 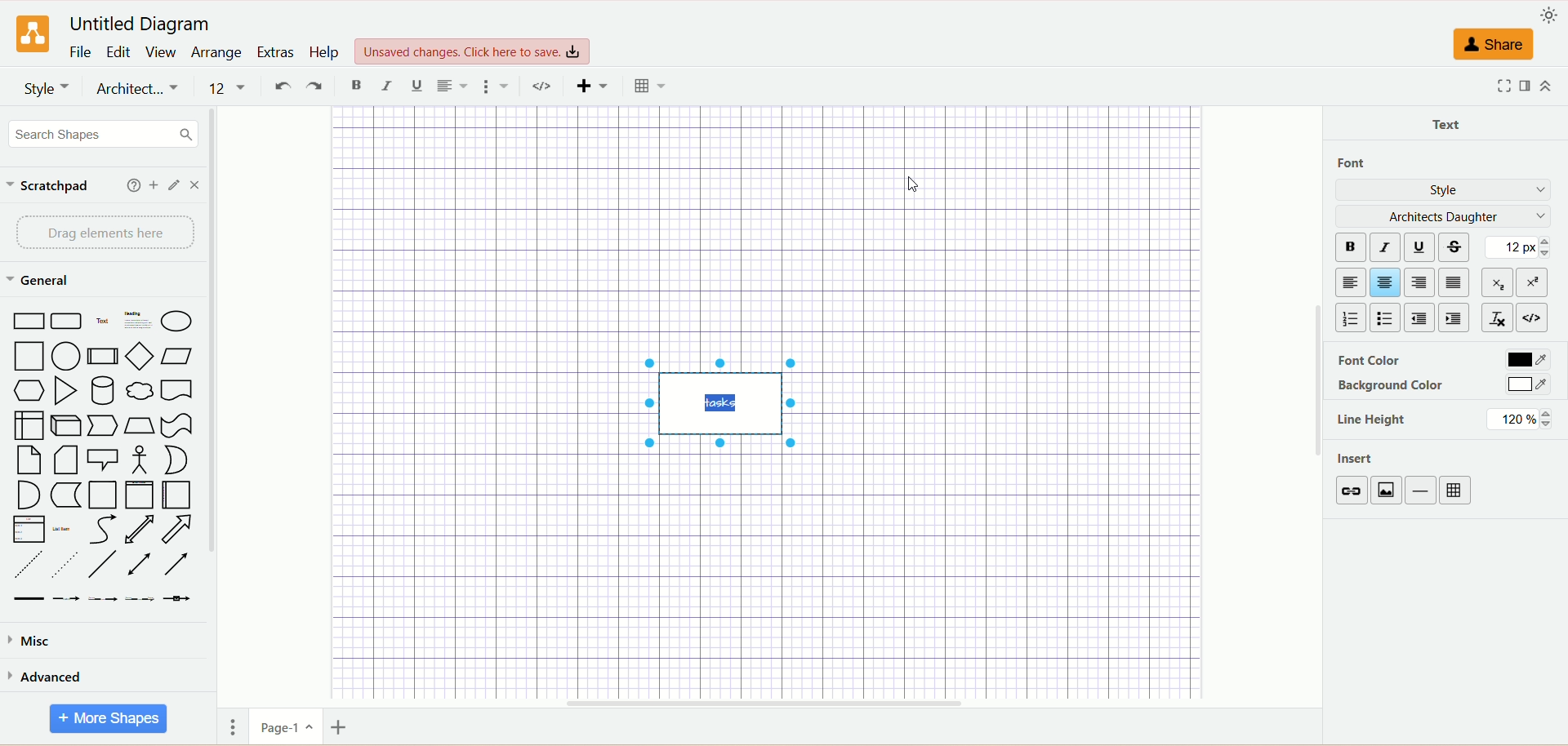 What do you see at coordinates (177, 599) in the screenshot?
I see `Arrow with Node` at bounding box center [177, 599].